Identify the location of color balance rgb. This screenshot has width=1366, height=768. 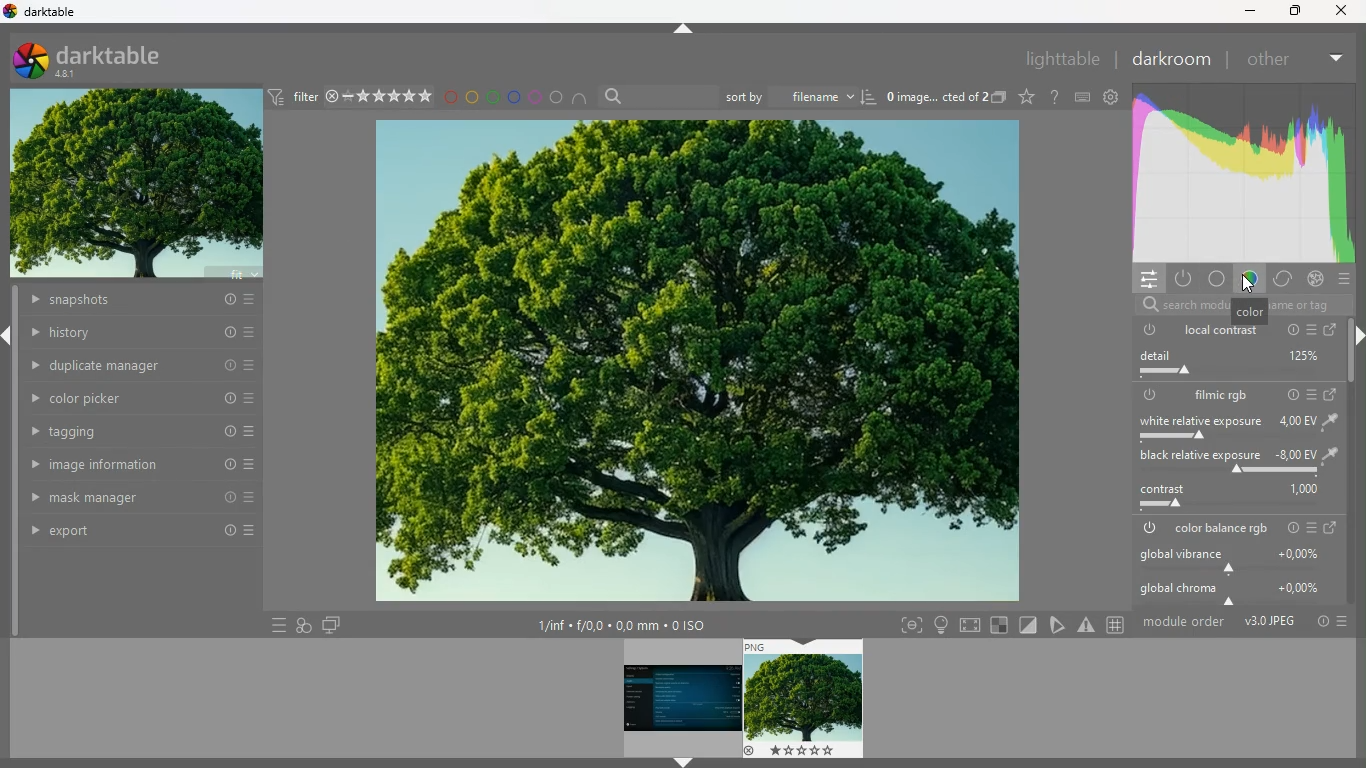
(1222, 529).